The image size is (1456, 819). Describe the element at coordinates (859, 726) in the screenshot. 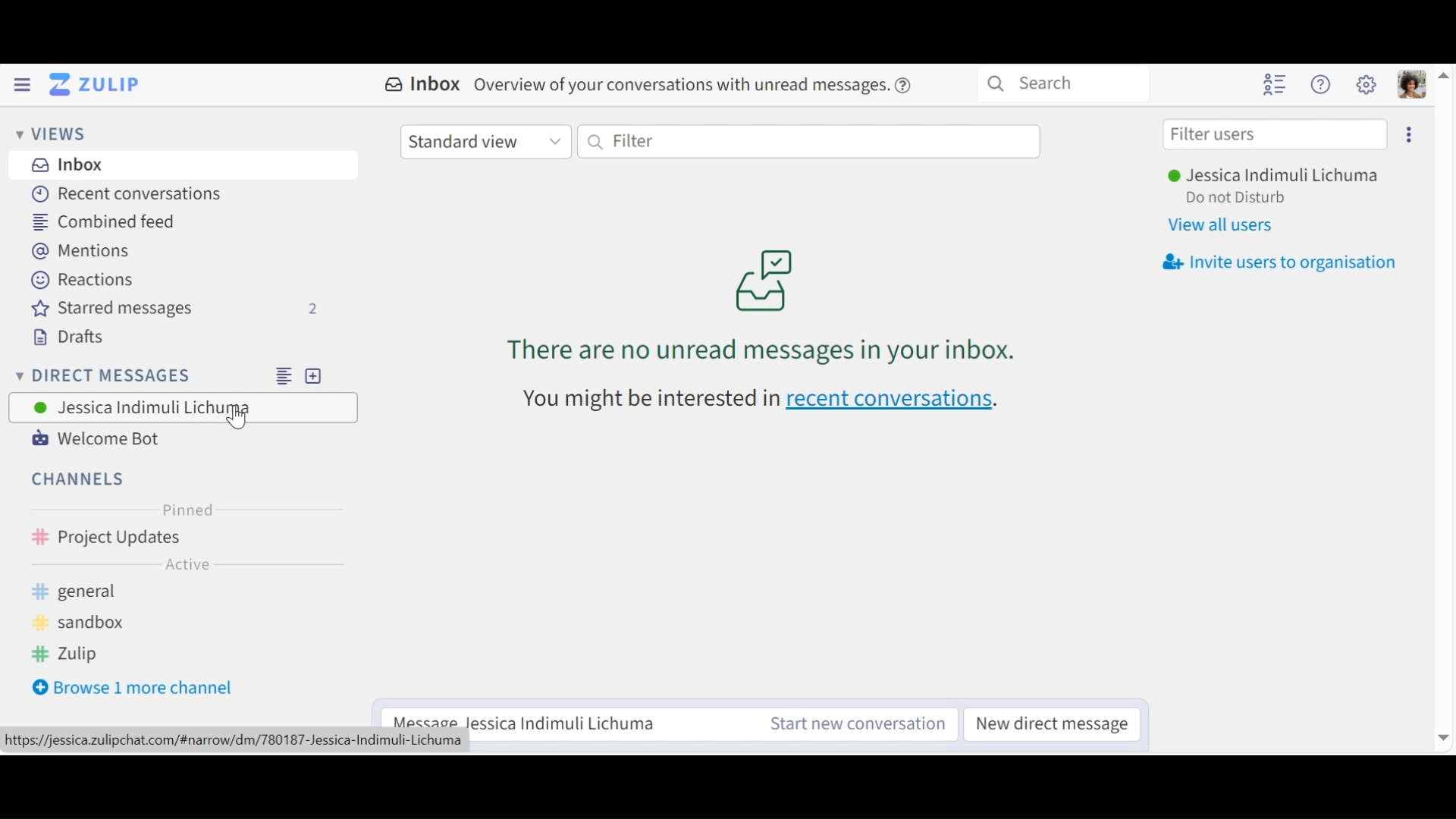

I see `Start a new conversation` at that location.